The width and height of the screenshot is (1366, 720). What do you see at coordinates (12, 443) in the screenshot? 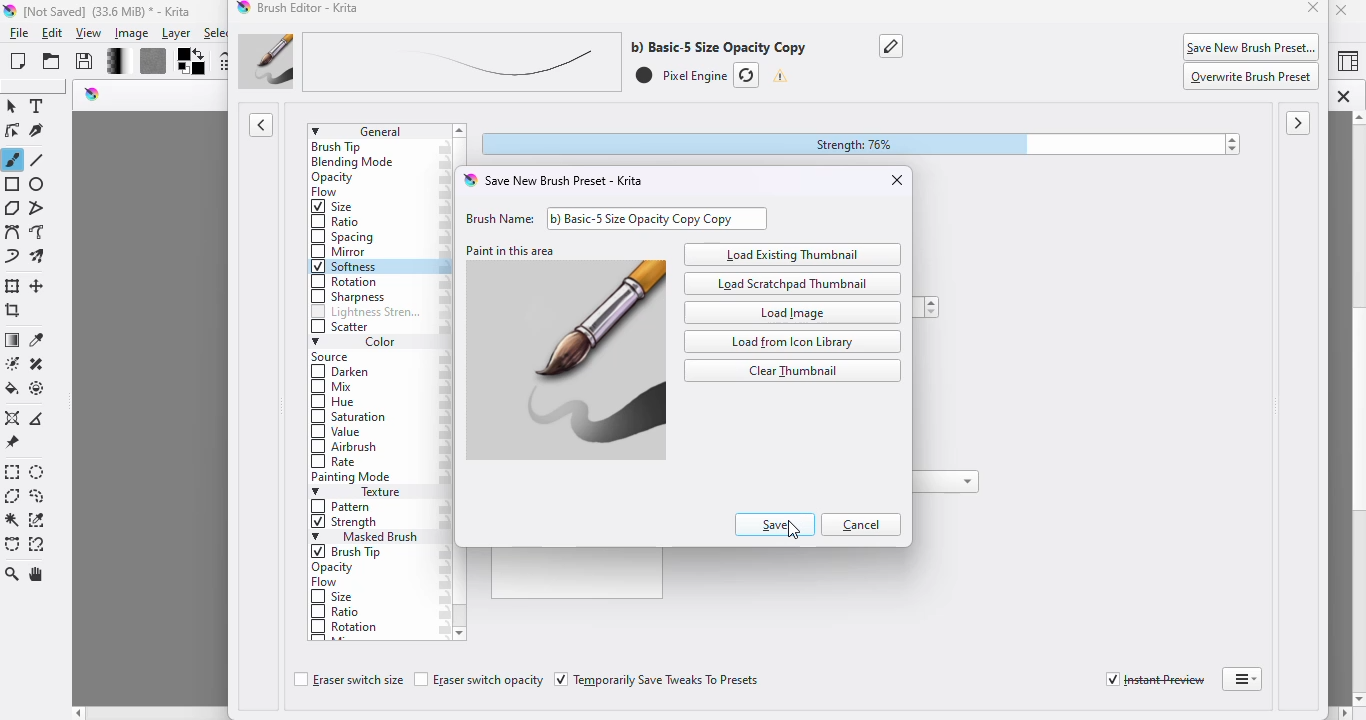
I see `reference images tool` at bounding box center [12, 443].